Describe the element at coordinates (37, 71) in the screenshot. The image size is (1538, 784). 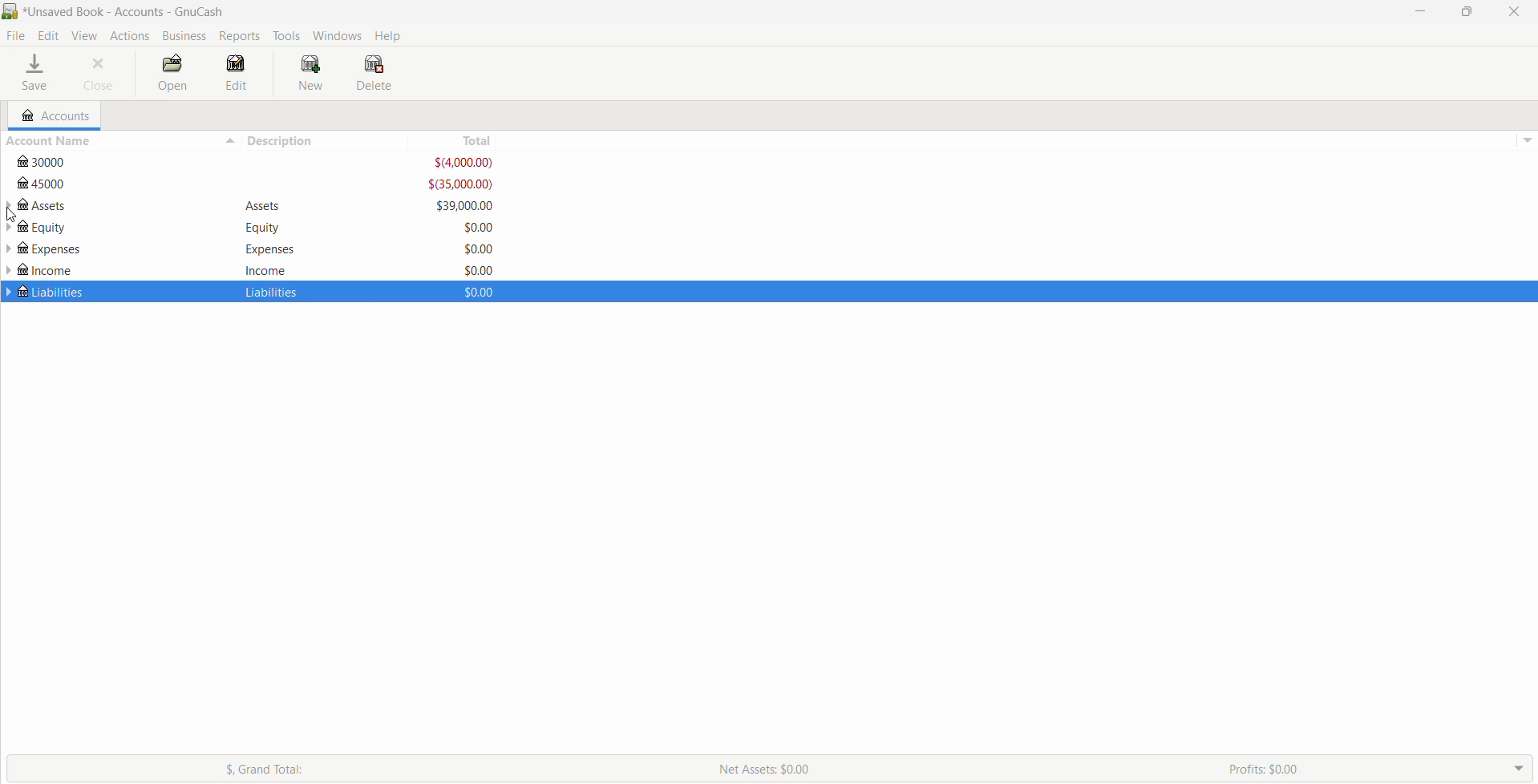
I see `Save` at that location.